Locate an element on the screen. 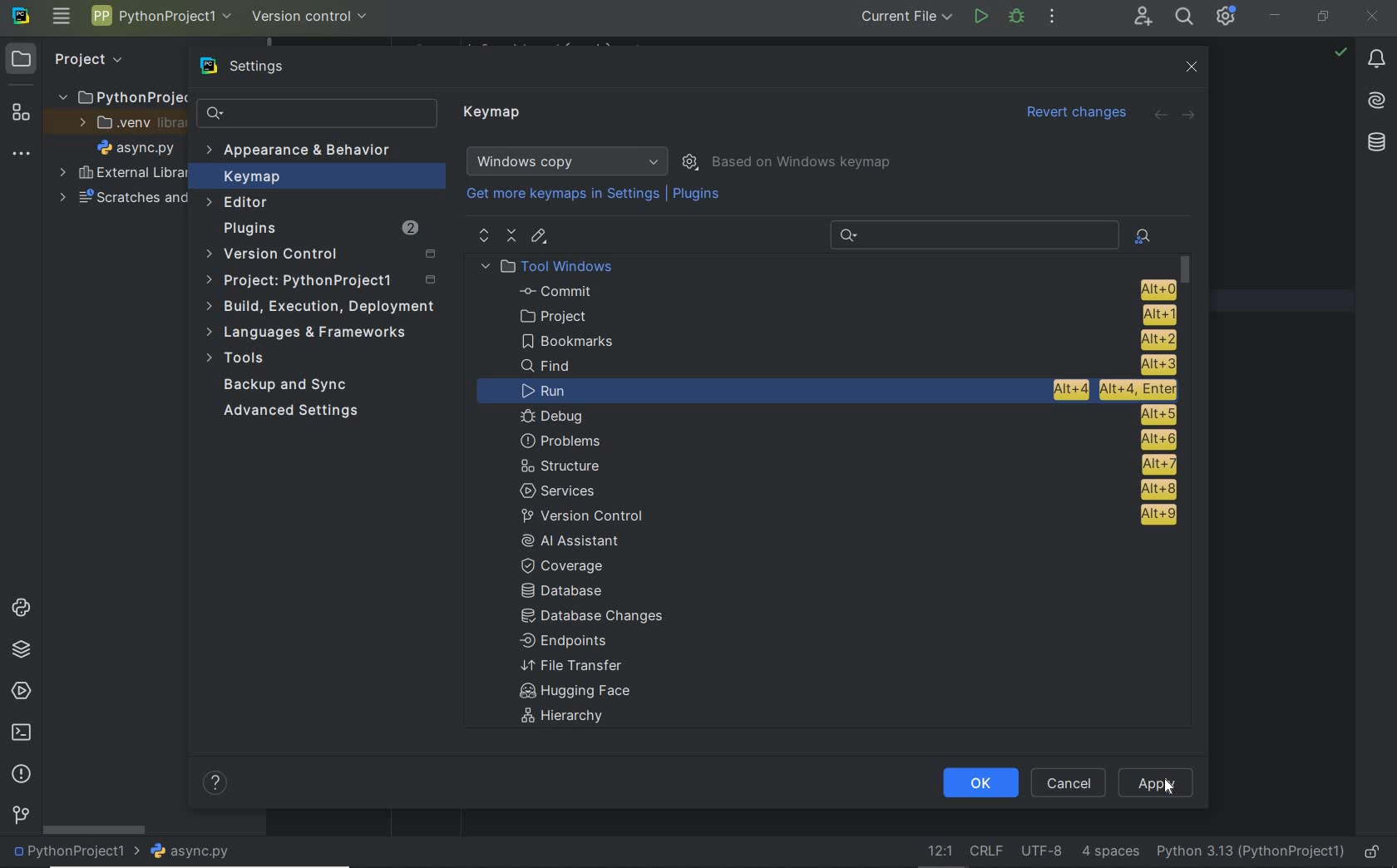  Plugins is located at coordinates (318, 229).